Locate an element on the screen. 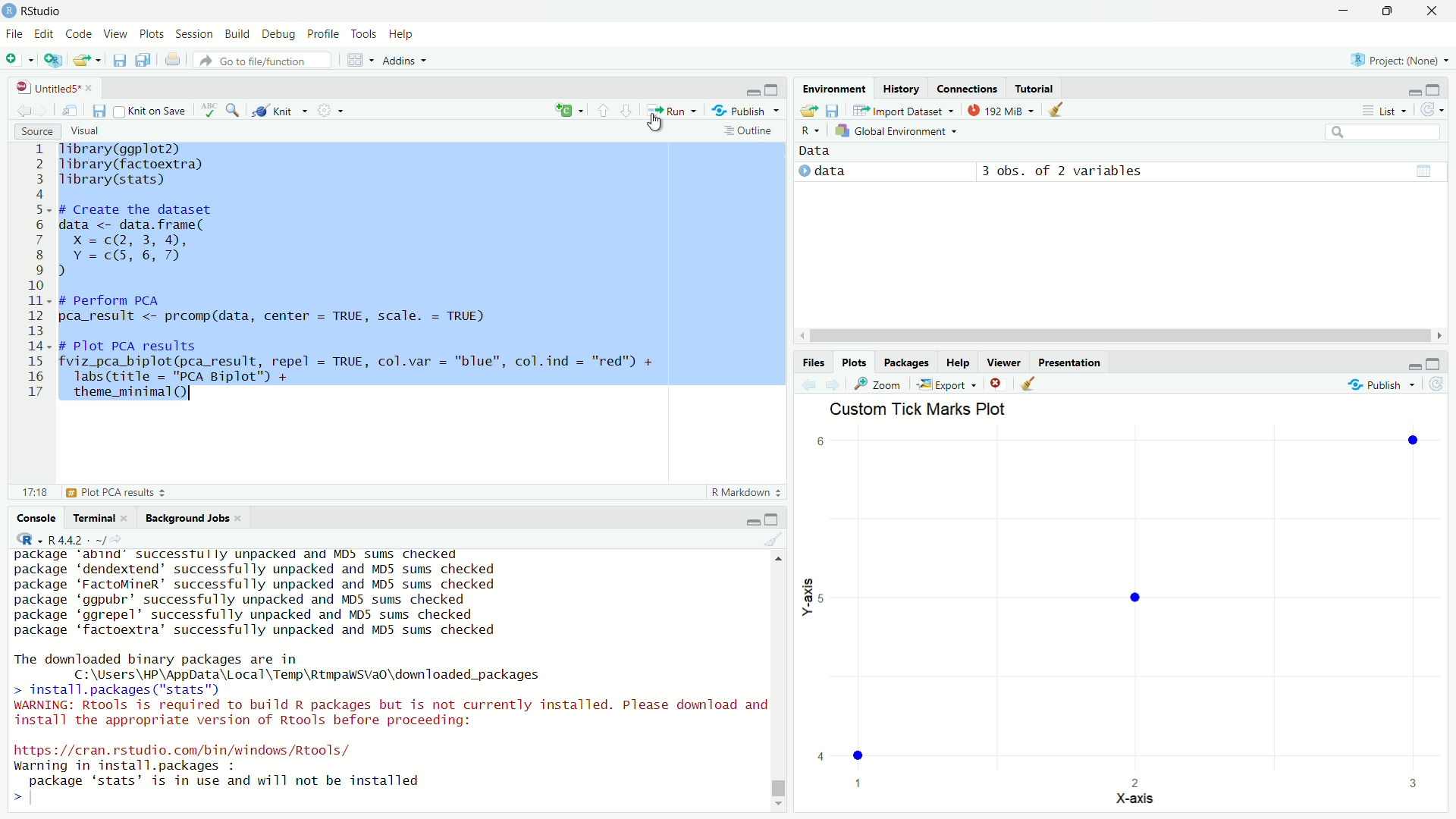  refresh is located at coordinates (1438, 384).